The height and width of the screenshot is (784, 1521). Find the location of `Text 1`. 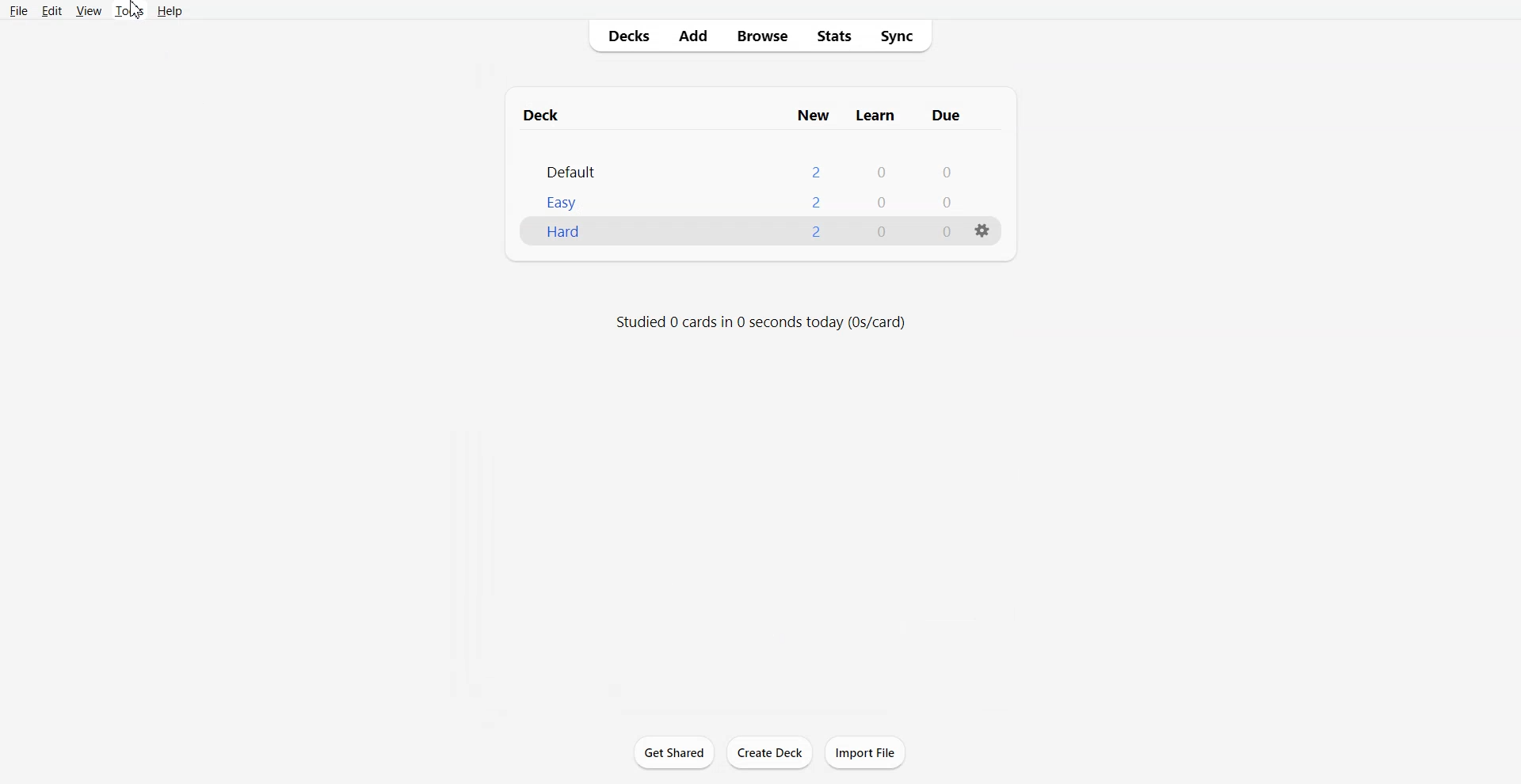

Text 1 is located at coordinates (740, 113).